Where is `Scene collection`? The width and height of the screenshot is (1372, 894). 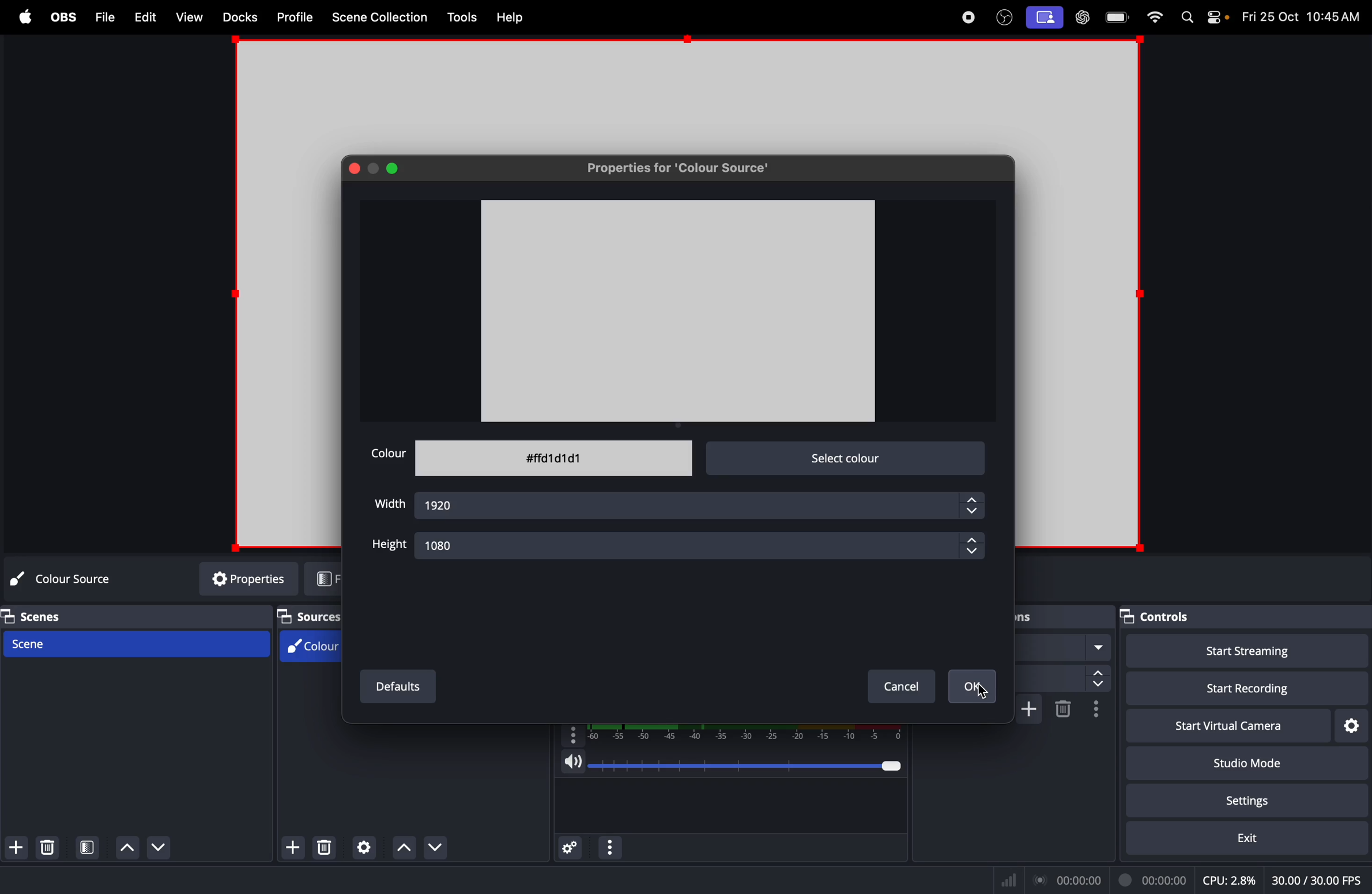 Scene collection is located at coordinates (383, 16).